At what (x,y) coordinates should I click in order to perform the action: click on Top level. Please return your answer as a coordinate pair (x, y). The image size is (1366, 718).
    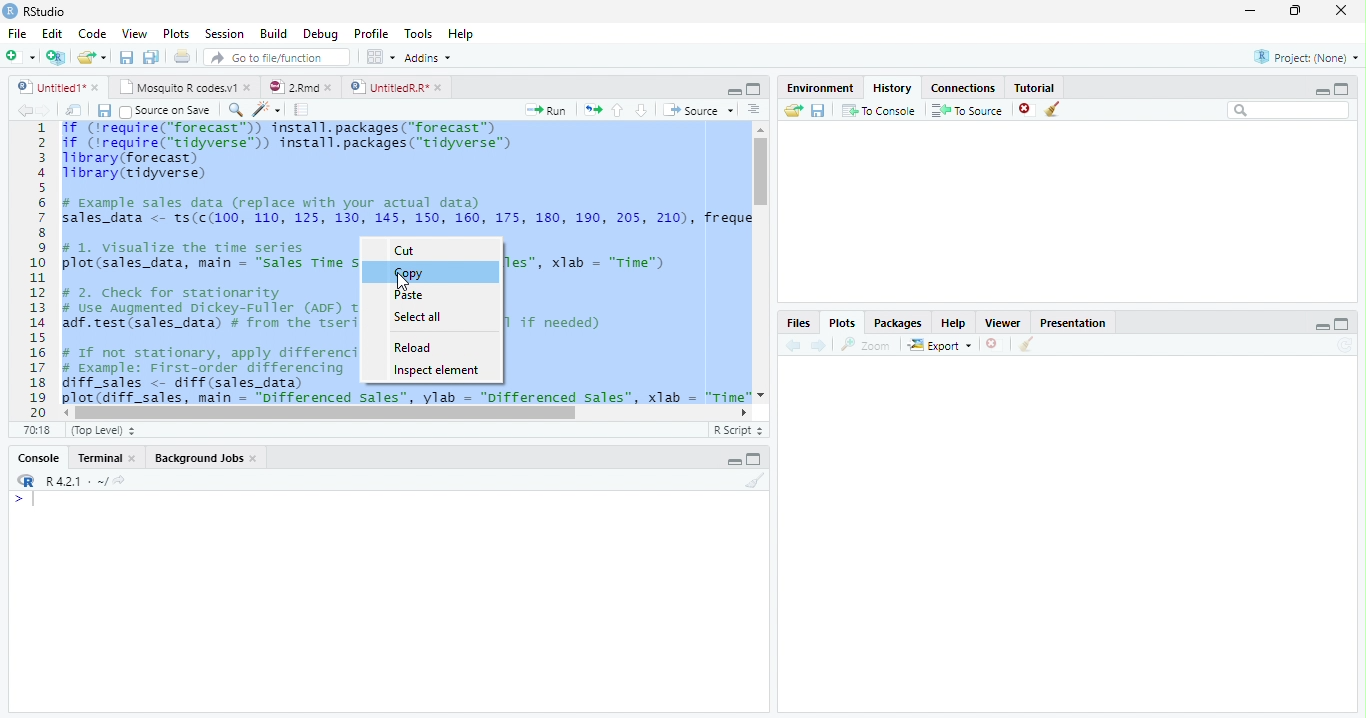
    Looking at the image, I should click on (102, 430).